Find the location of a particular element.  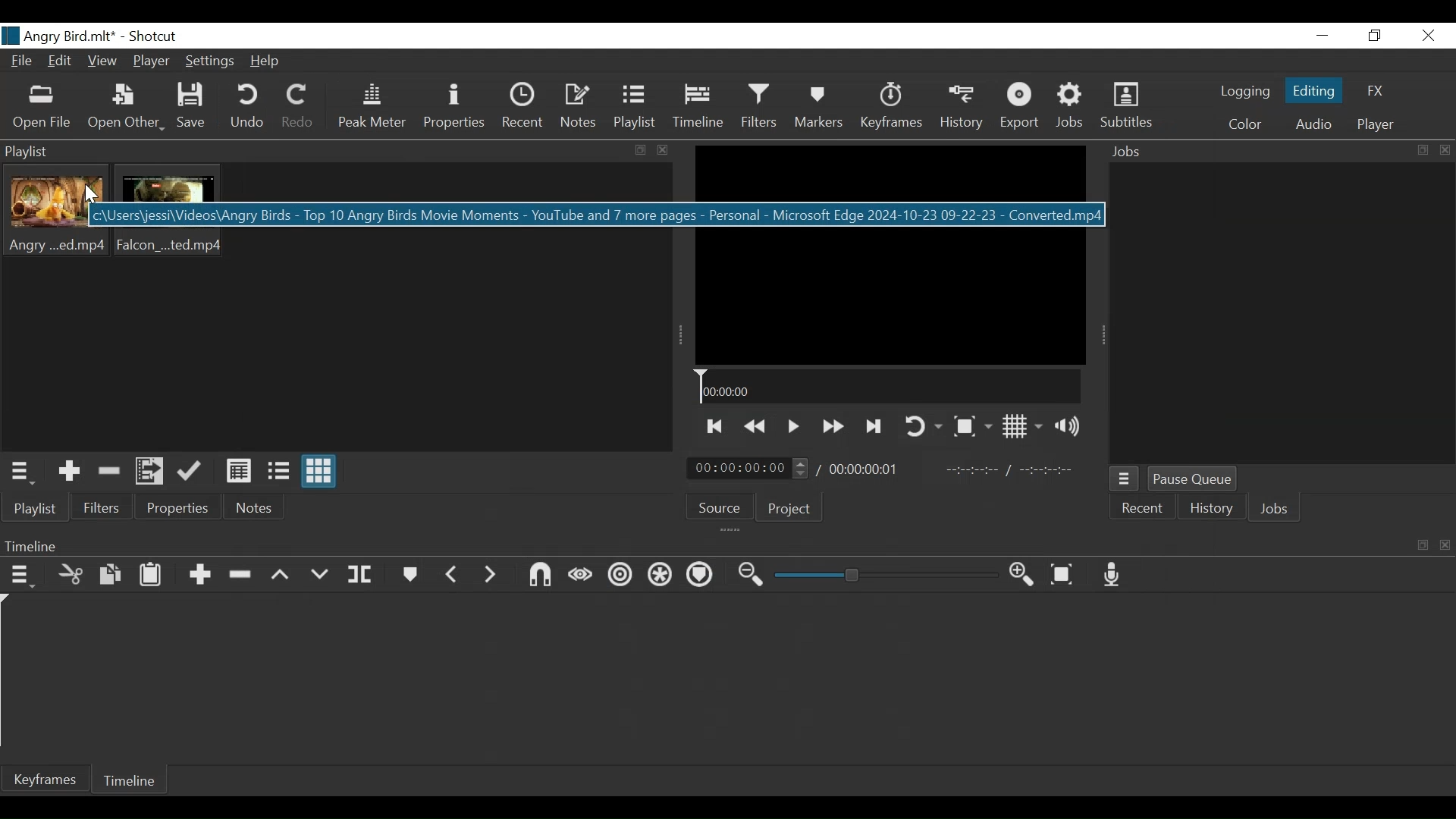

Recent is located at coordinates (1143, 507).